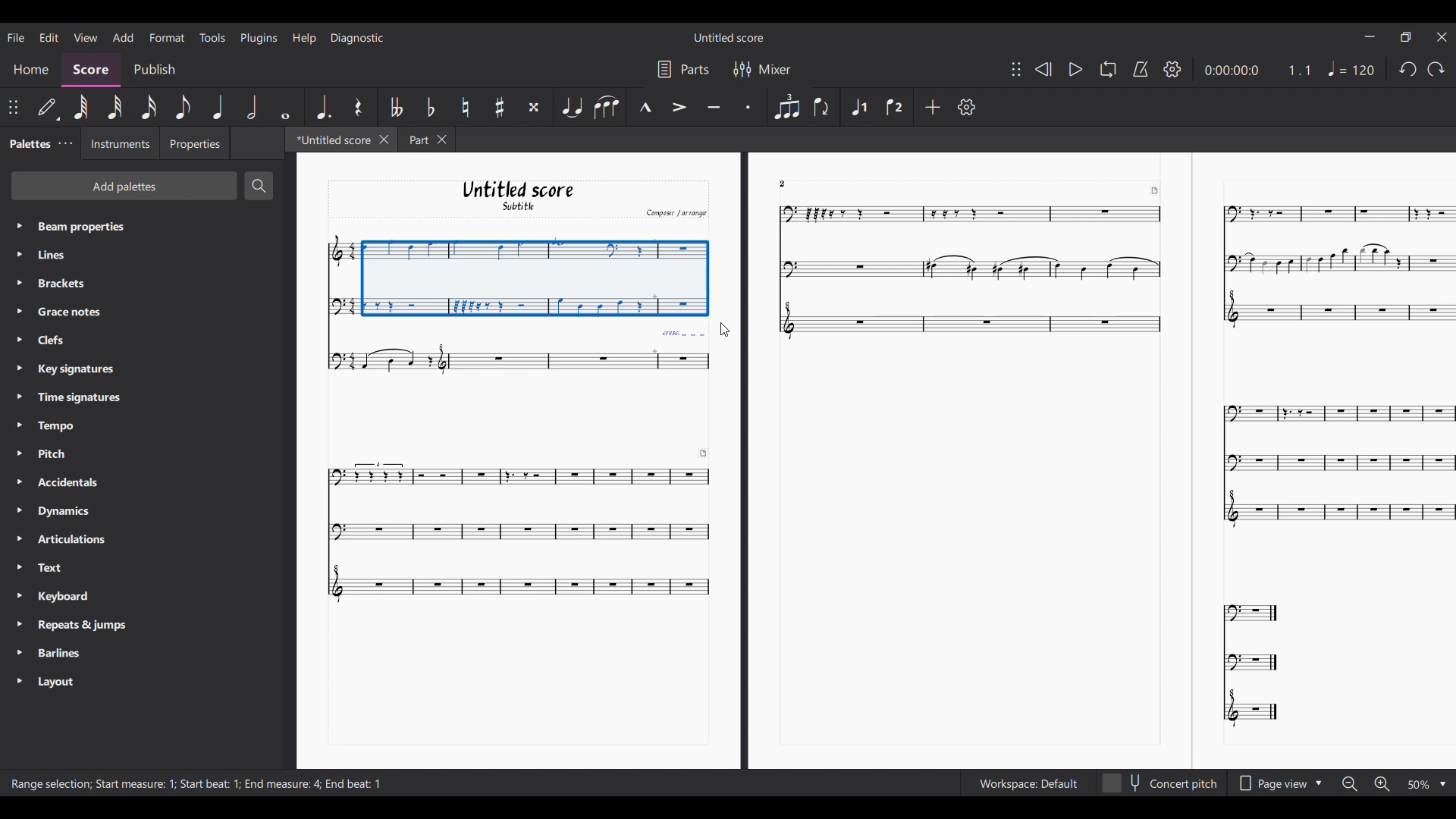 The image size is (1456, 819). I want to click on Close , so click(1442, 36).